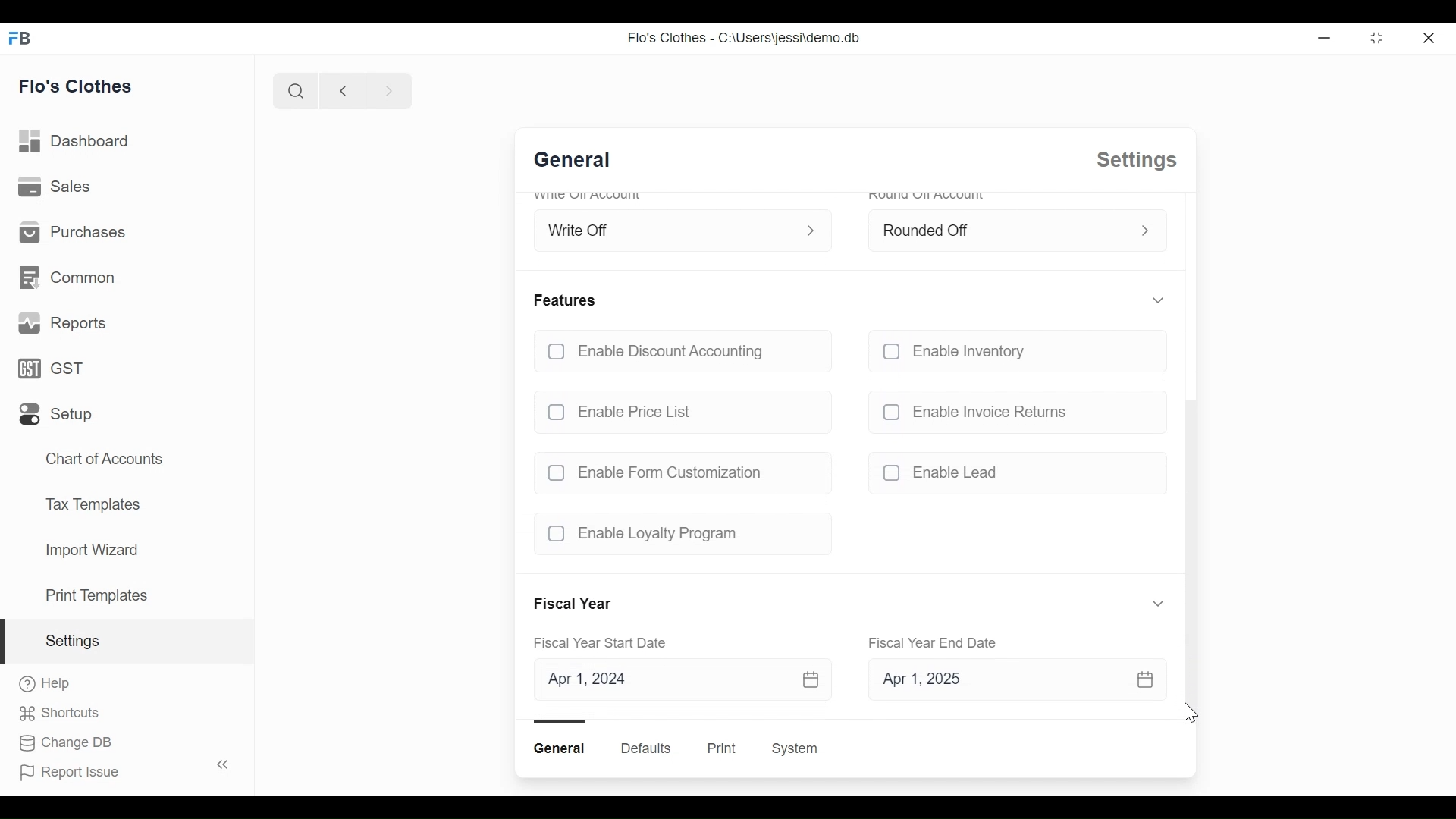  What do you see at coordinates (66, 714) in the screenshot?
I see `Shortcuts` at bounding box center [66, 714].